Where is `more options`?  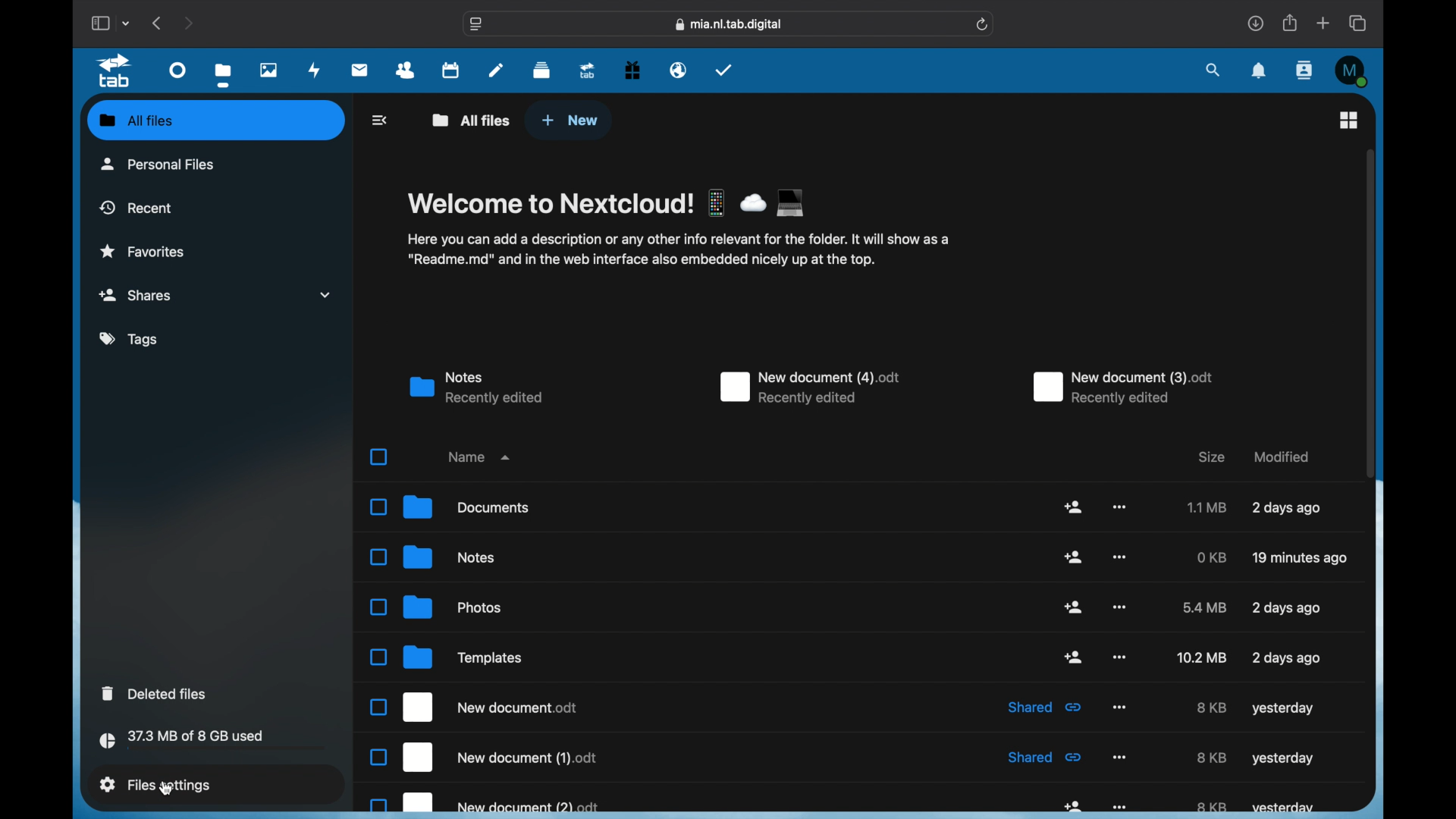
more options is located at coordinates (1118, 706).